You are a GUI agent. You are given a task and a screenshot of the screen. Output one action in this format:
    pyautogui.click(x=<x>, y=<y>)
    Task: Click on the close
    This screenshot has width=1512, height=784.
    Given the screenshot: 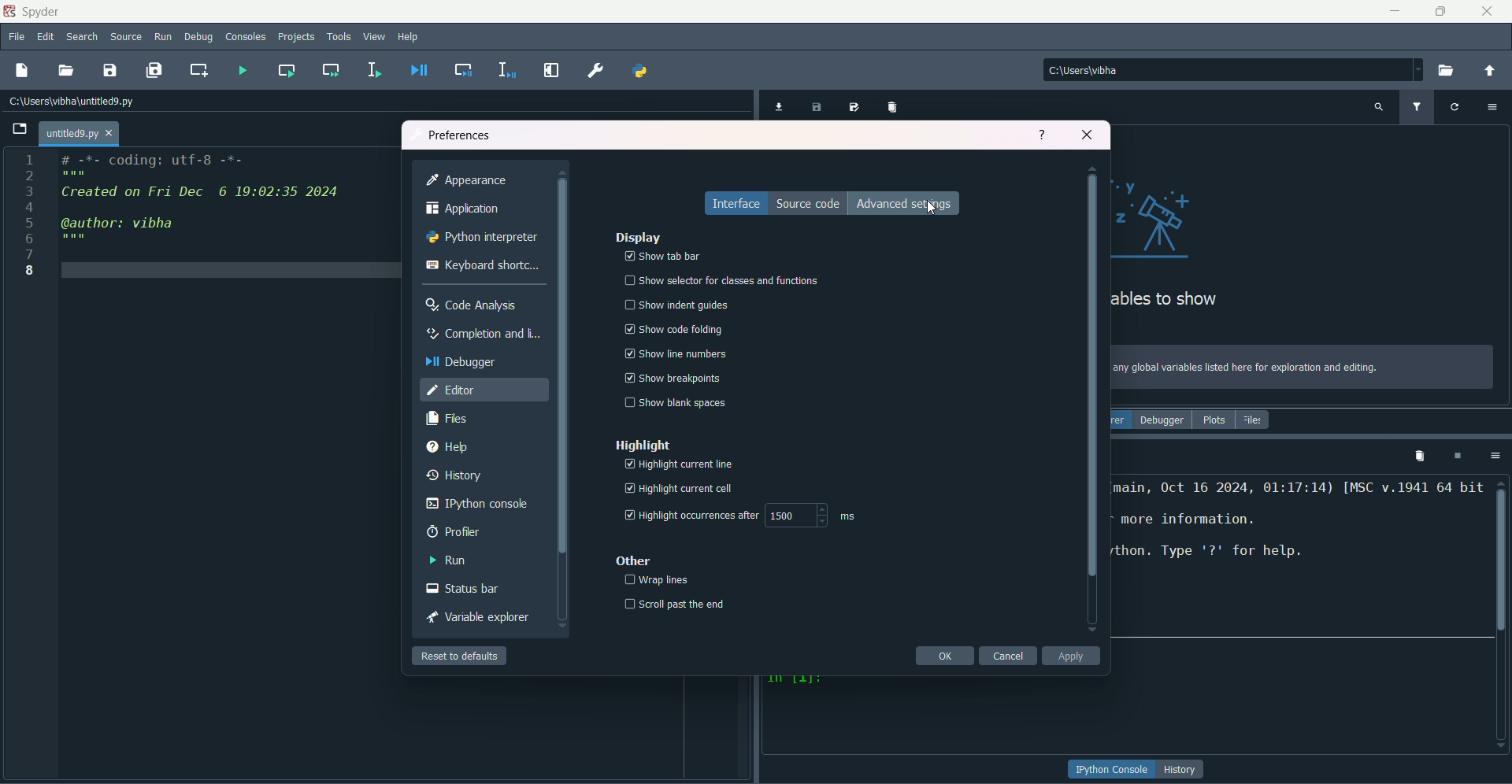 What is the action you would take?
    pyautogui.click(x=1488, y=11)
    